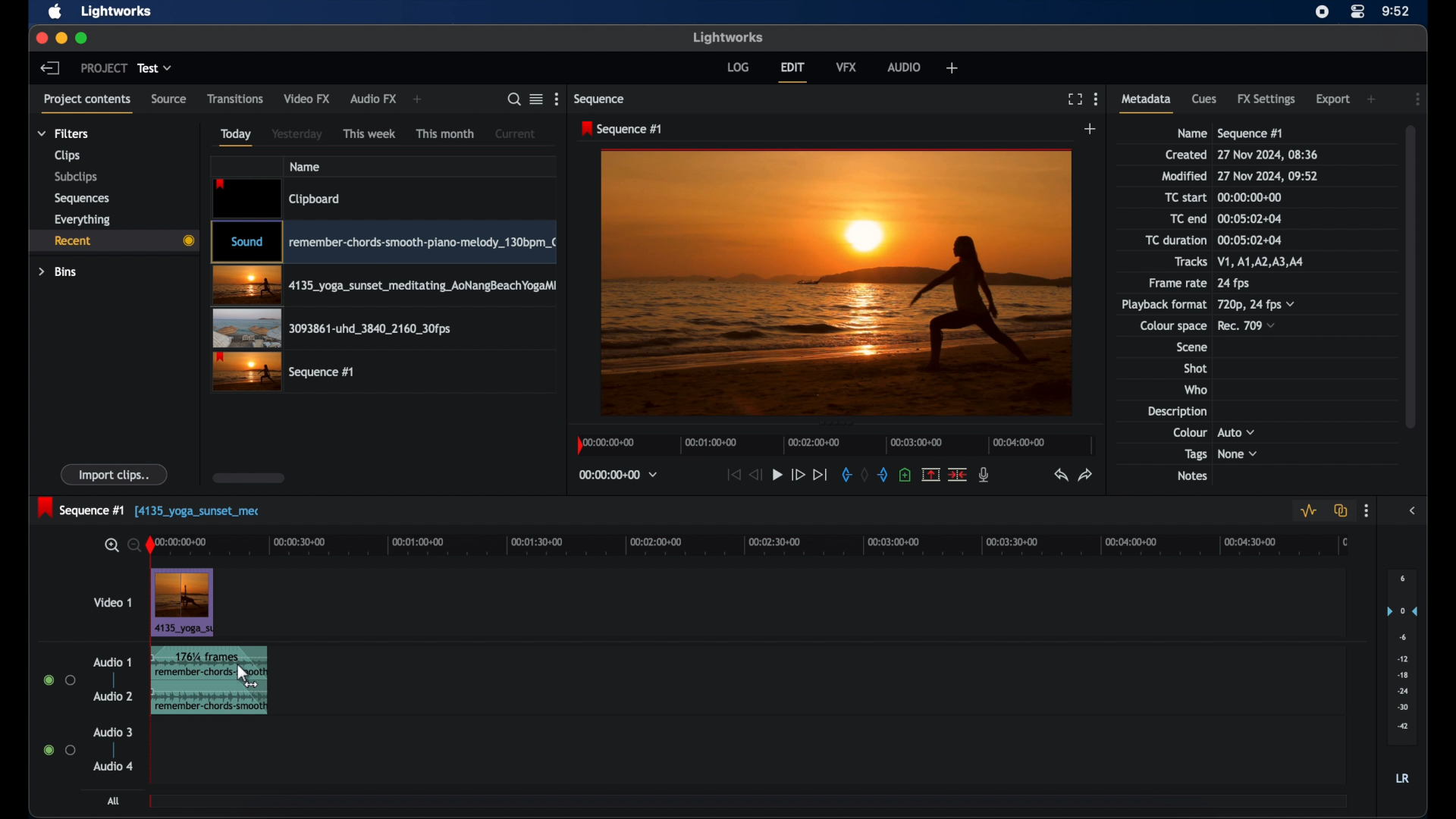 The width and height of the screenshot is (1456, 819). What do you see at coordinates (1307, 511) in the screenshot?
I see `toggle audio levels editing` at bounding box center [1307, 511].